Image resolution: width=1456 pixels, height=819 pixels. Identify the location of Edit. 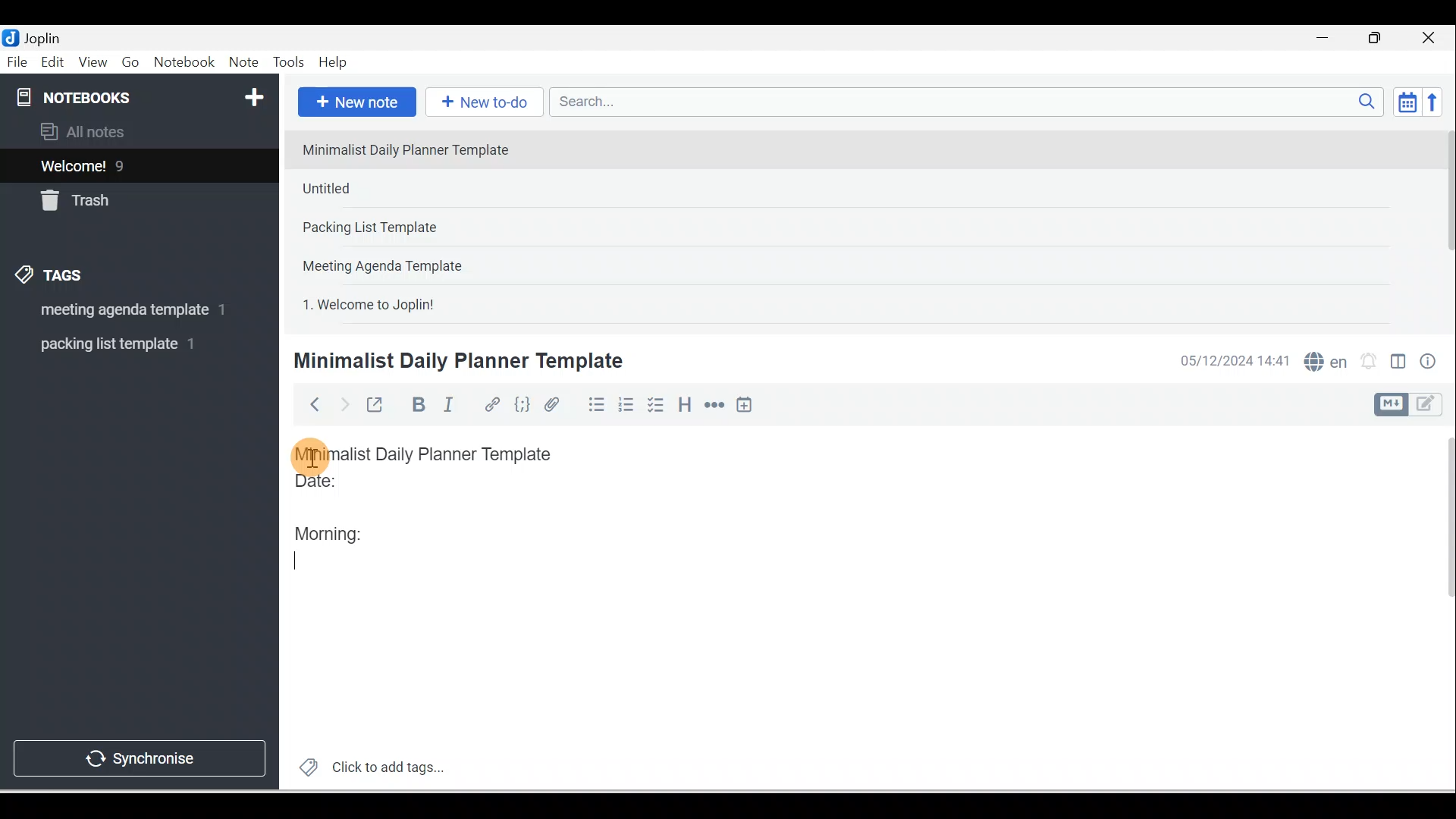
(54, 63).